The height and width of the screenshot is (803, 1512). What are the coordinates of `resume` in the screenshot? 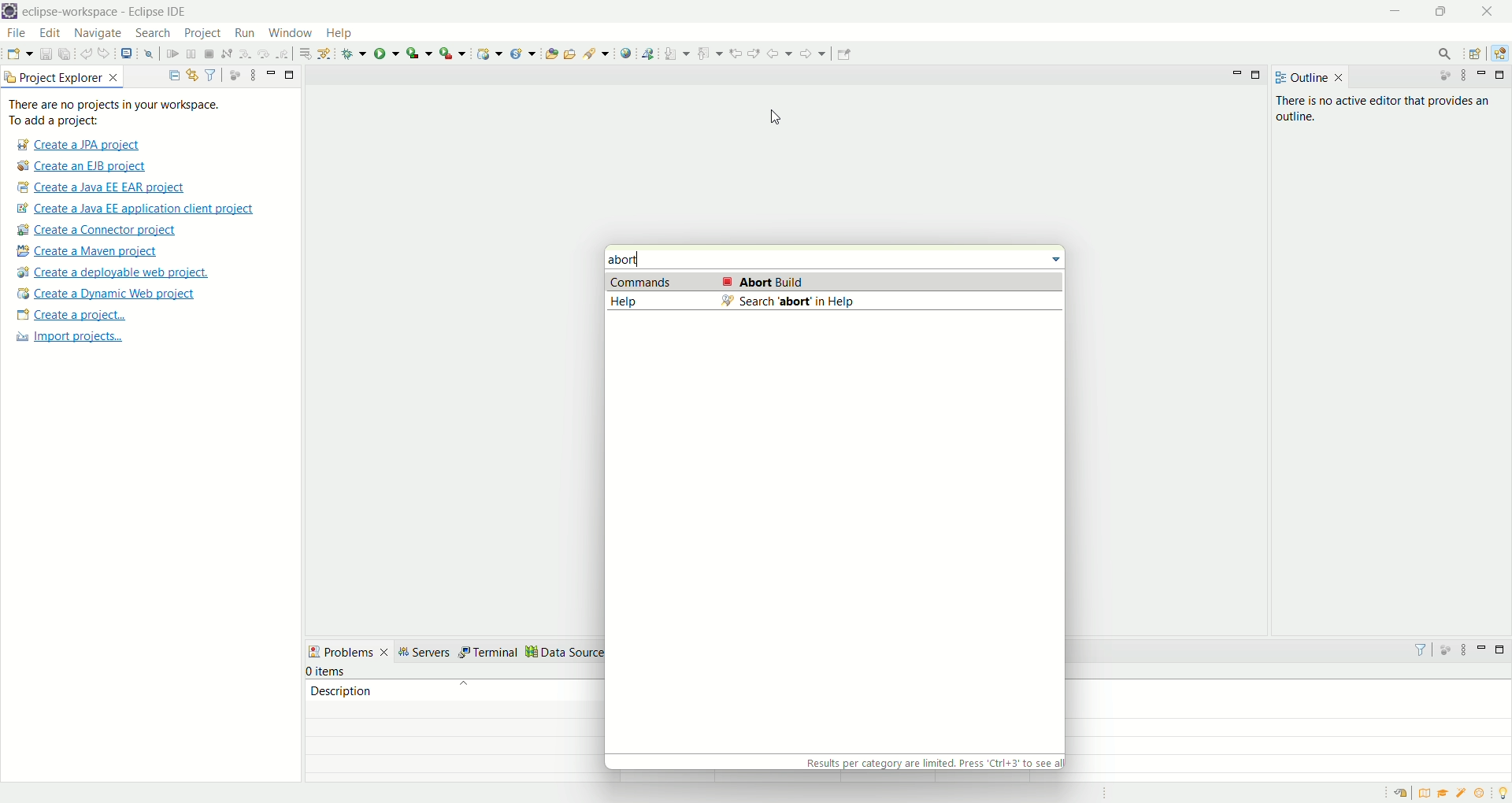 It's located at (169, 54).